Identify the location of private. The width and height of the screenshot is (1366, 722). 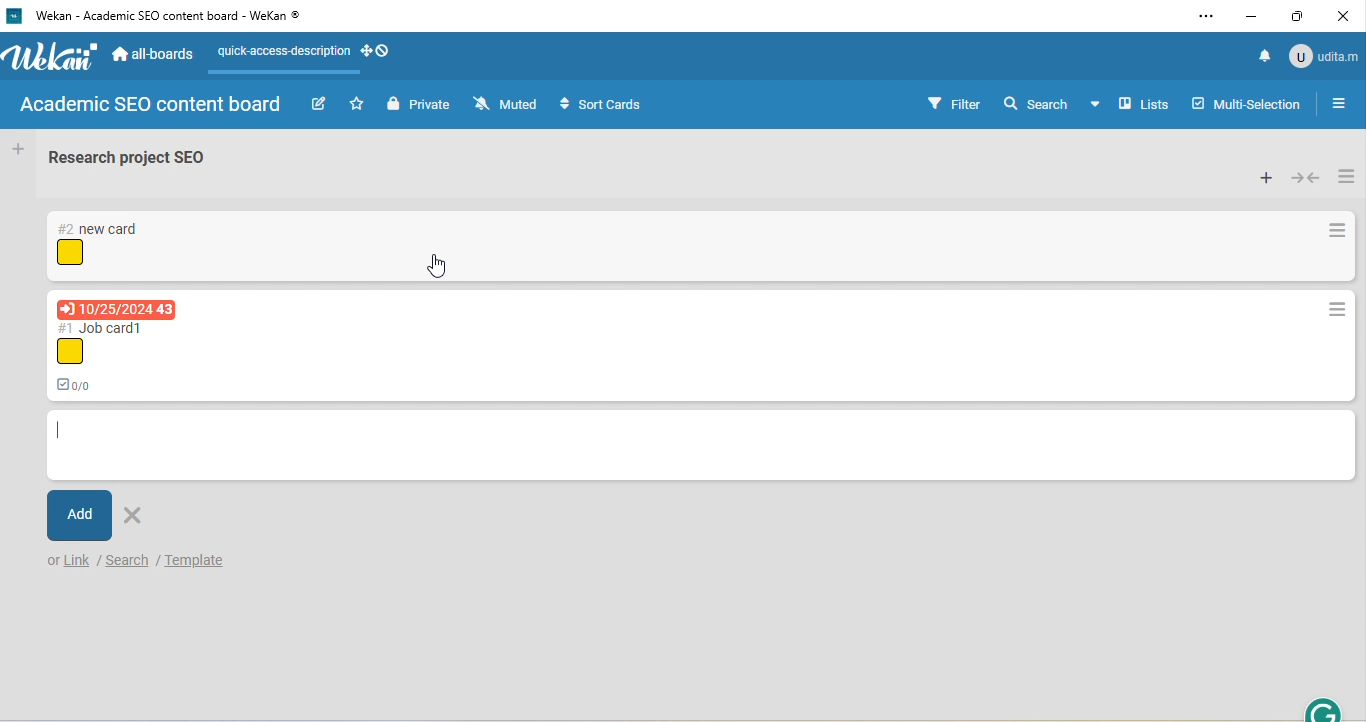
(419, 106).